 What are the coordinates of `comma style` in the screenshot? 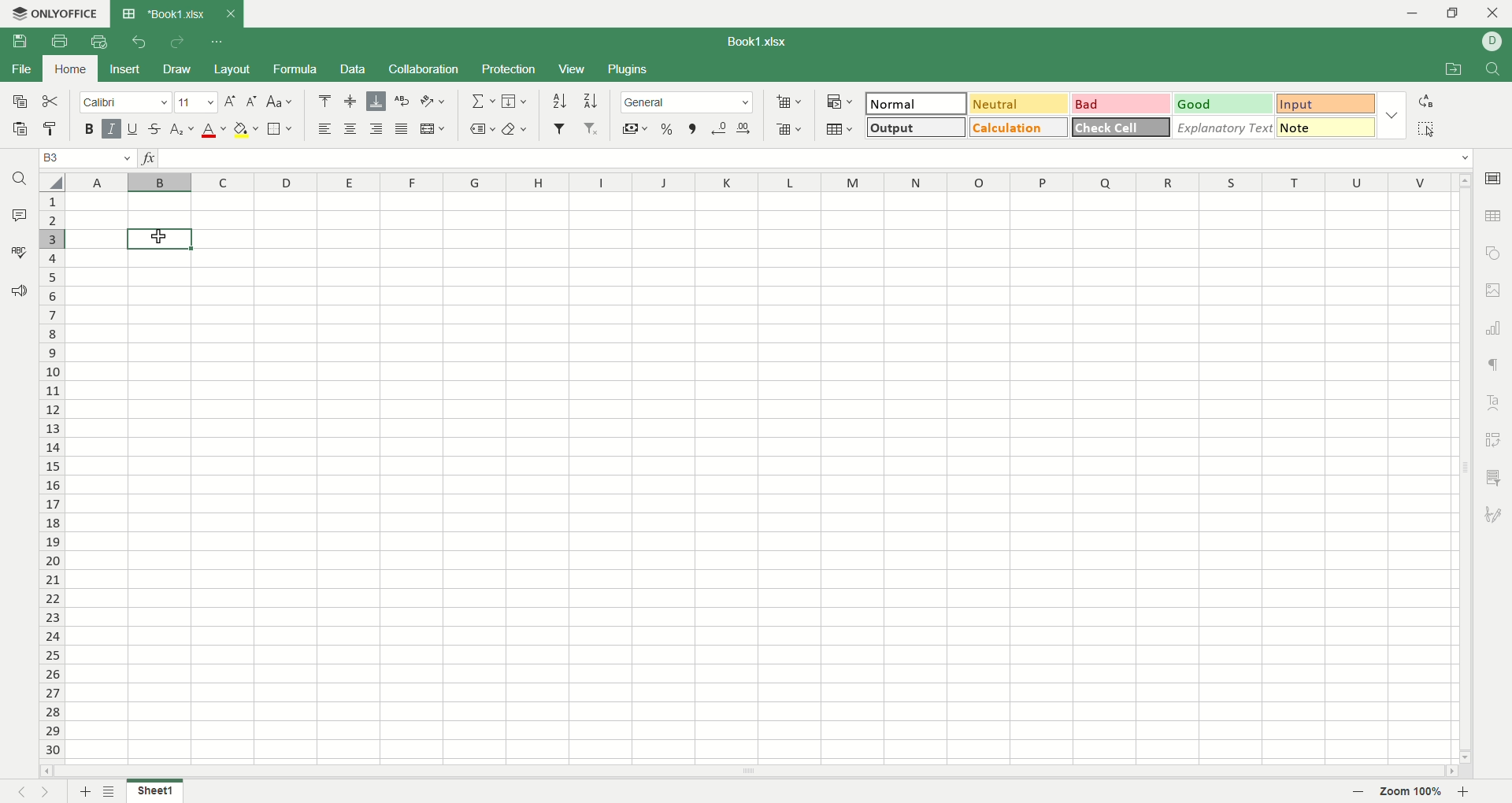 It's located at (695, 129).